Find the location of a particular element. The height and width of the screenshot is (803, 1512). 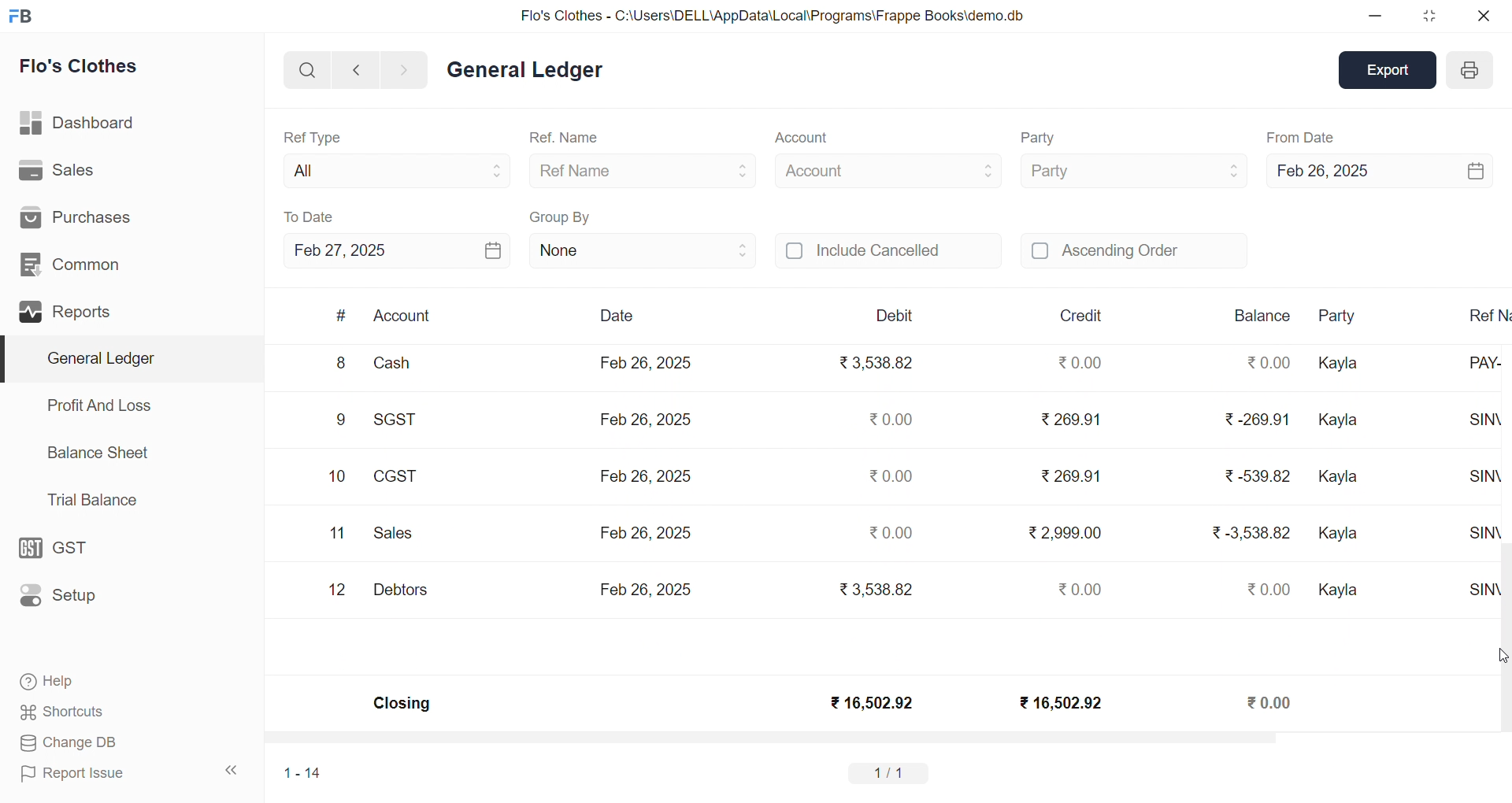

Kayla is located at coordinates (1343, 421).